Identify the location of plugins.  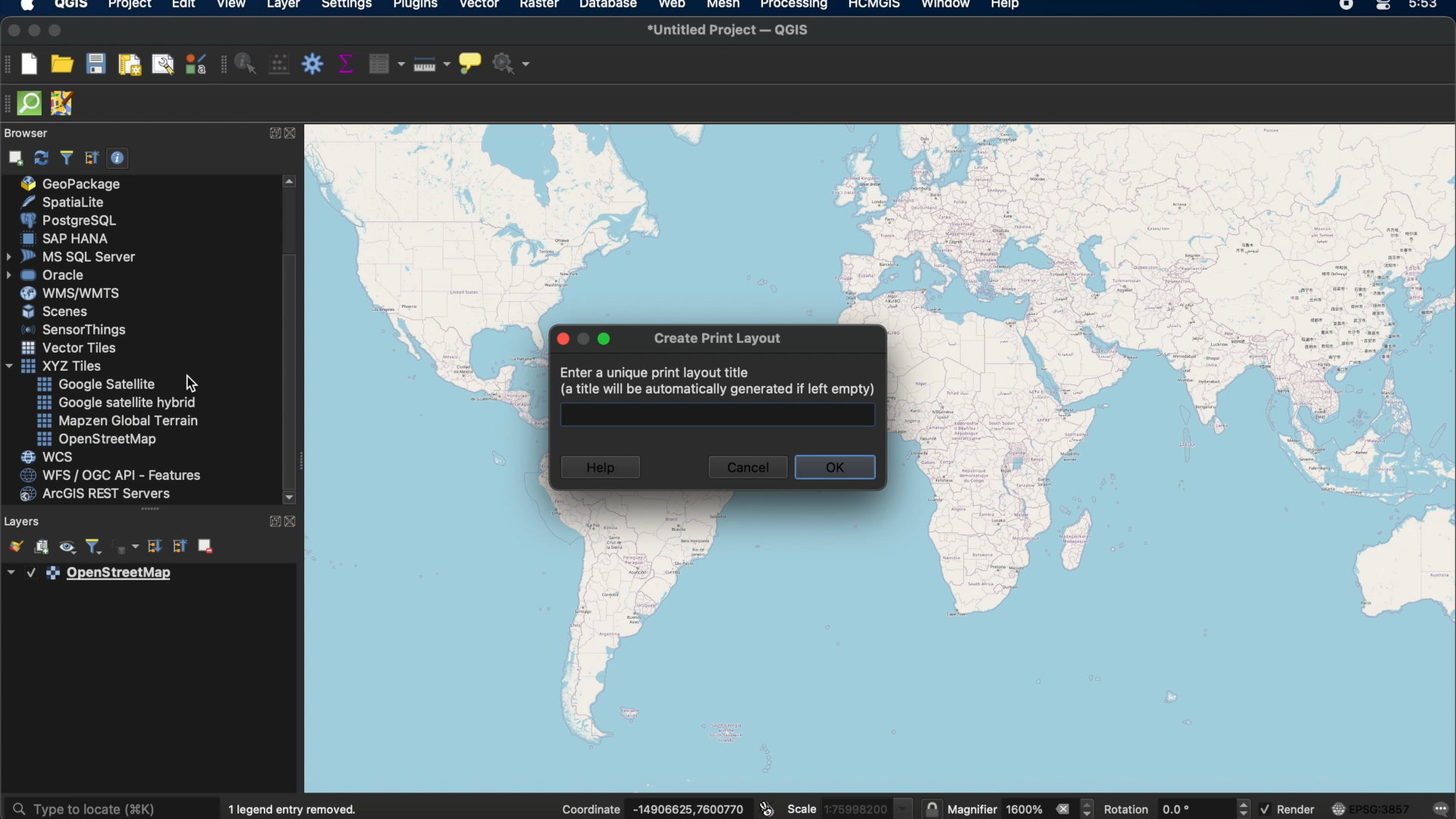
(416, 6).